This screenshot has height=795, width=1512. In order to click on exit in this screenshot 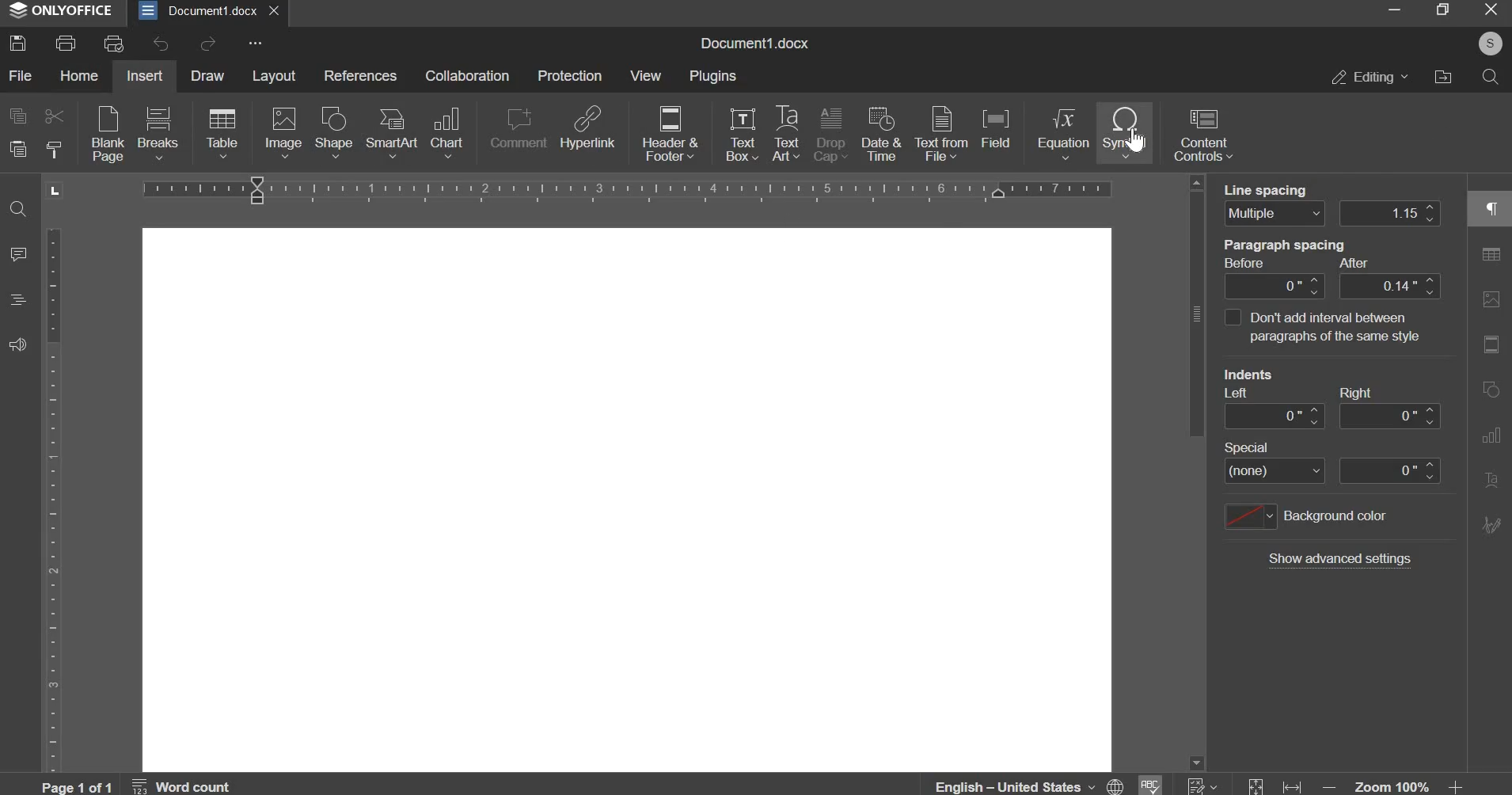, I will do `click(1490, 9)`.